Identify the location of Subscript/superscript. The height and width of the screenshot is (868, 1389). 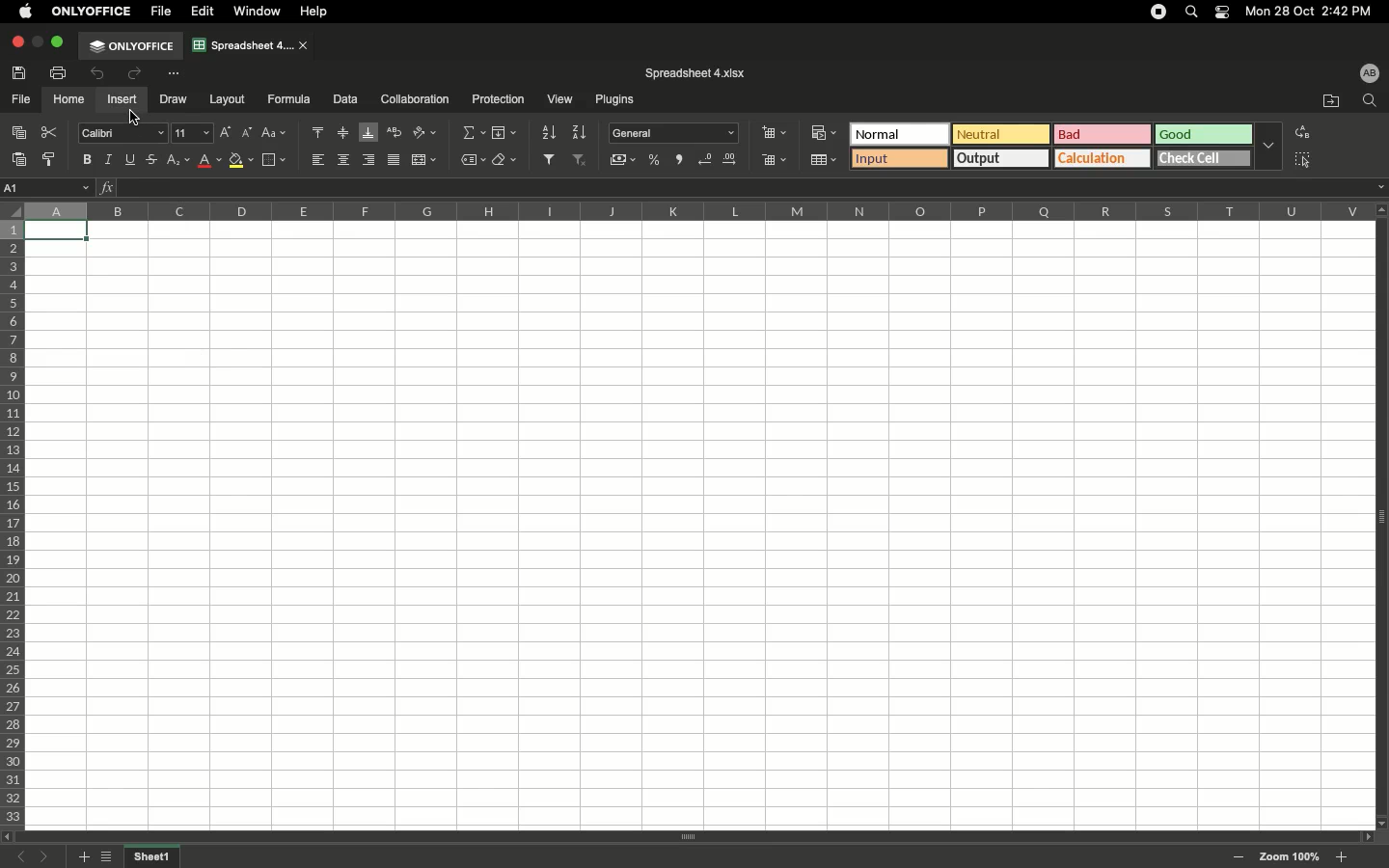
(179, 160).